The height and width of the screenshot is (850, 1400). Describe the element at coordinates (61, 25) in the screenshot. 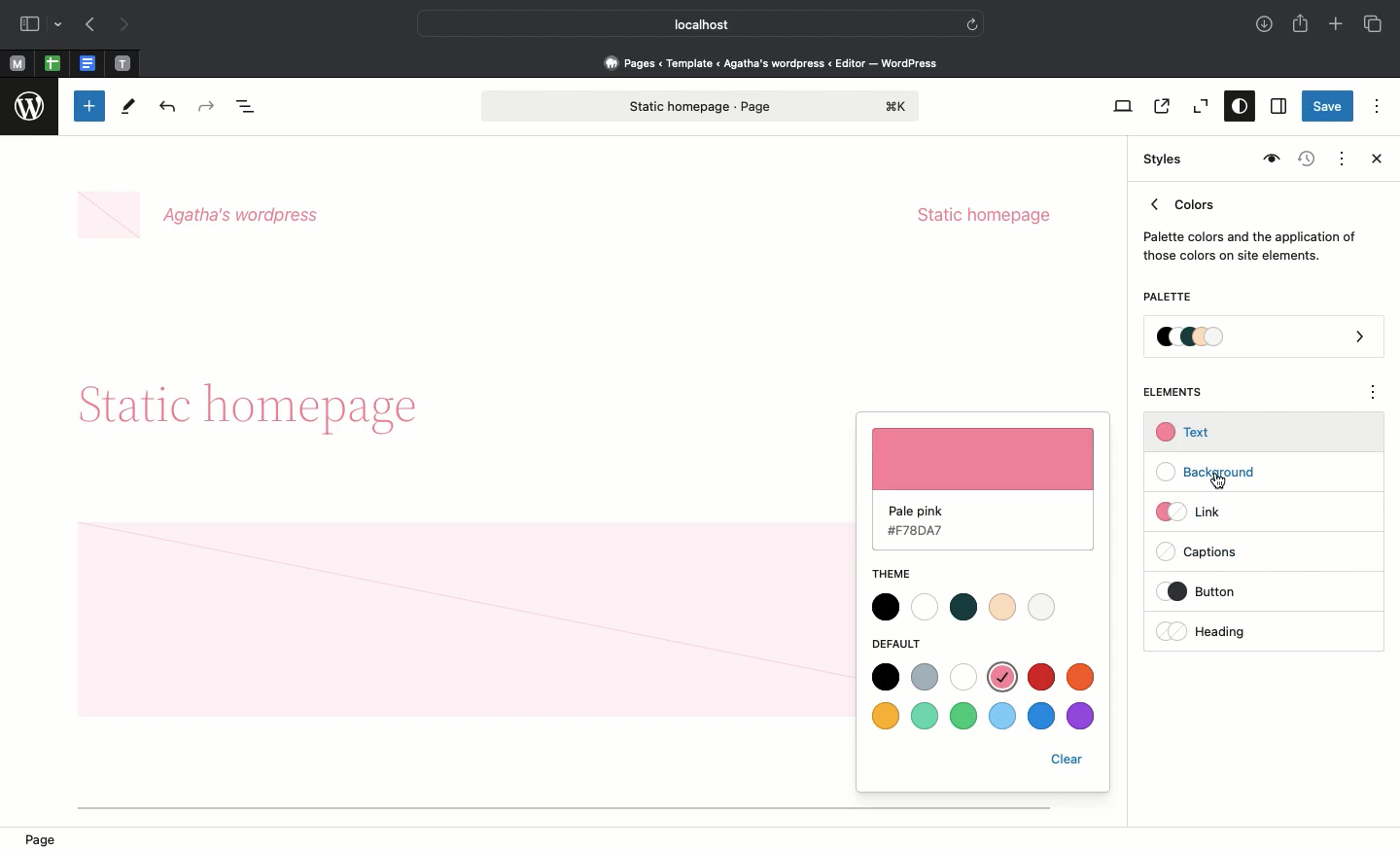

I see `drop-down` at that location.